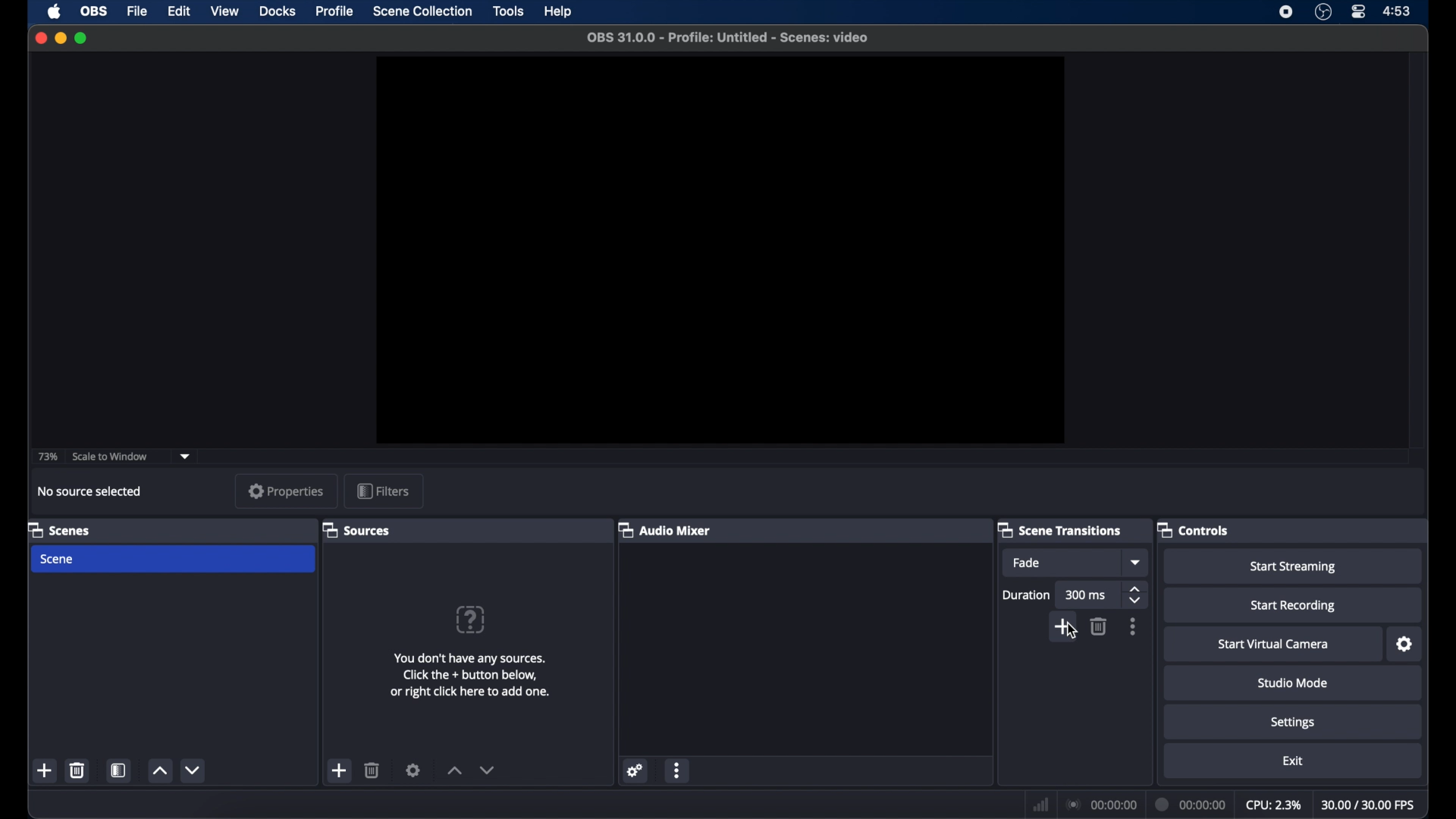 This screenshot has width=1456, height=819. What do you see at coordinates (1136, 595) in the screenshot?
I see `stepper buttons` at bounding box center [1136, 595].